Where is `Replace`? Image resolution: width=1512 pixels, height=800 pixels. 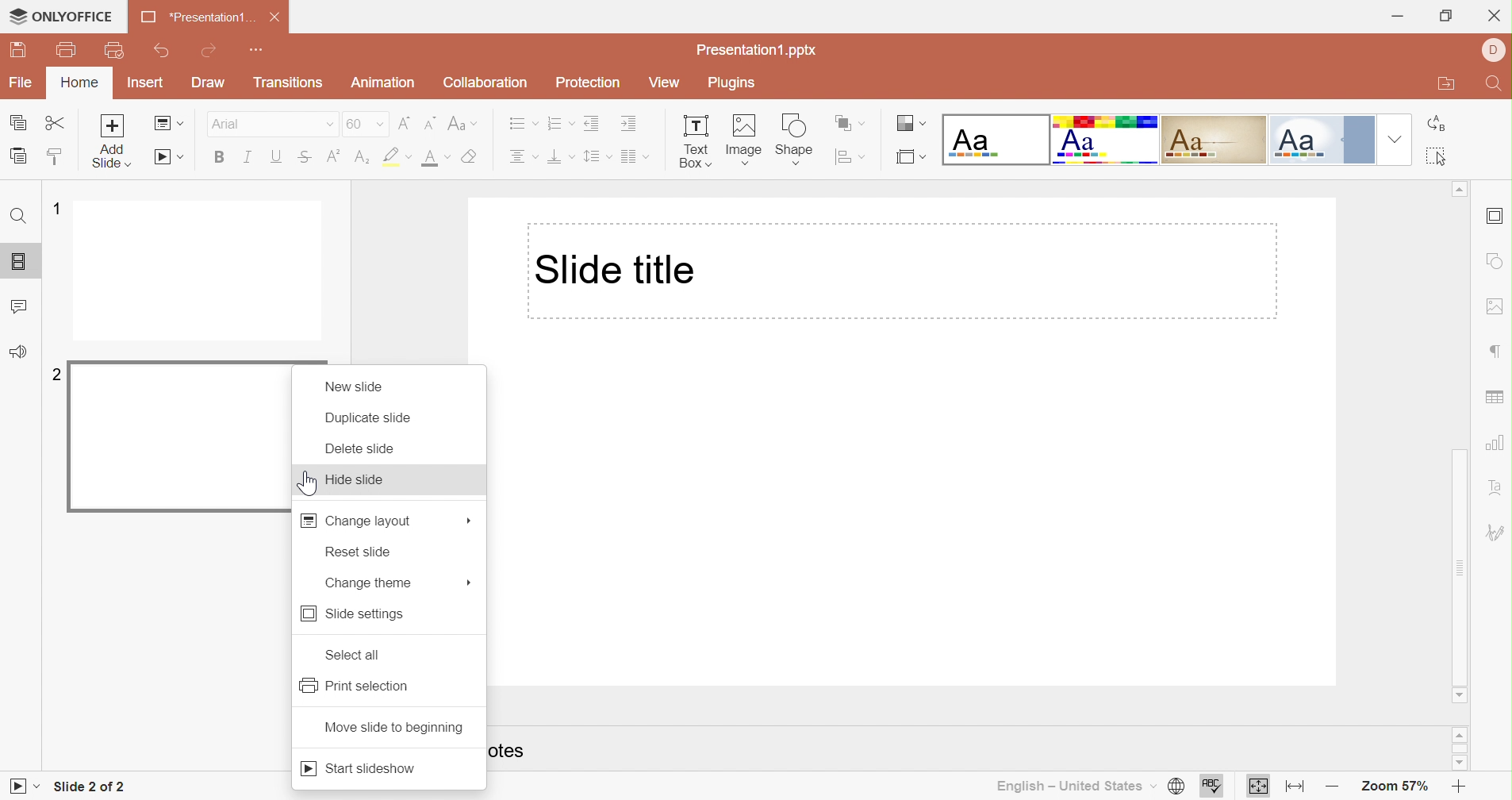 Replace is located at coordinates (1442, 125).